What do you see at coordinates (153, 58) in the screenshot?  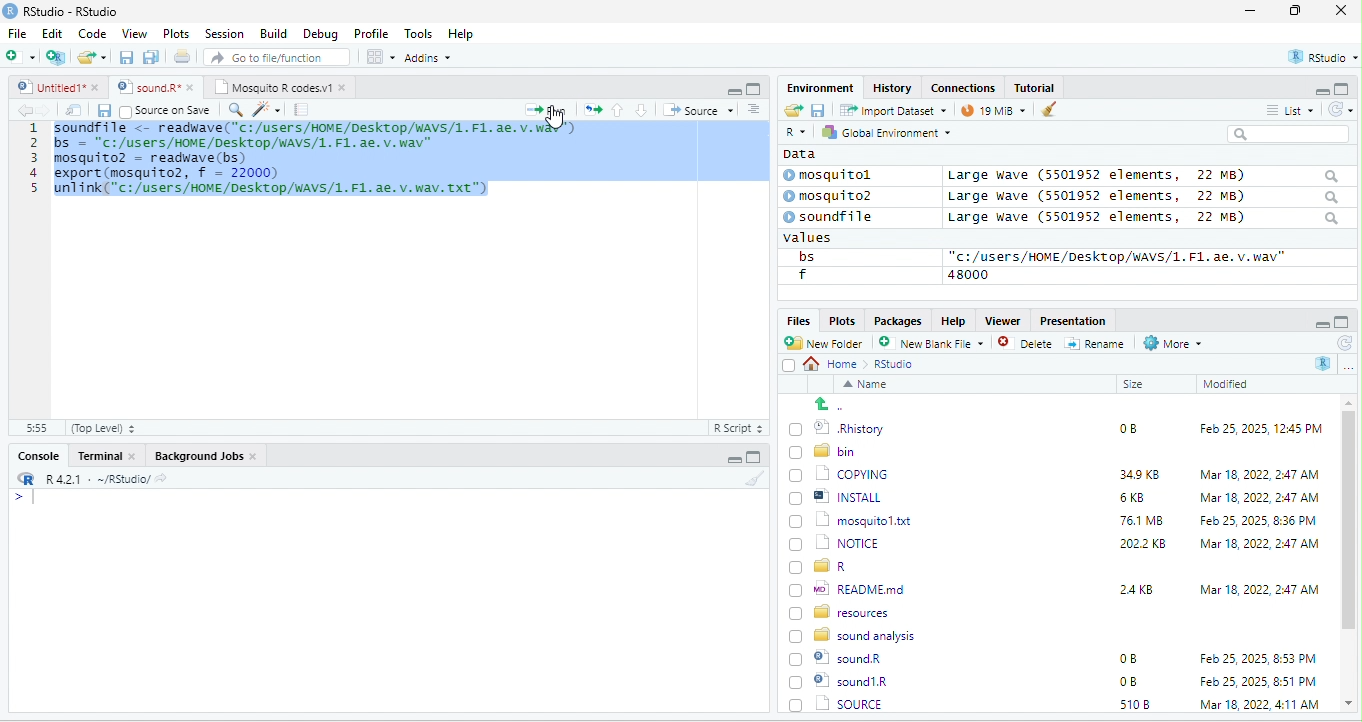 I see `save as` at bounding box center [153, 58].